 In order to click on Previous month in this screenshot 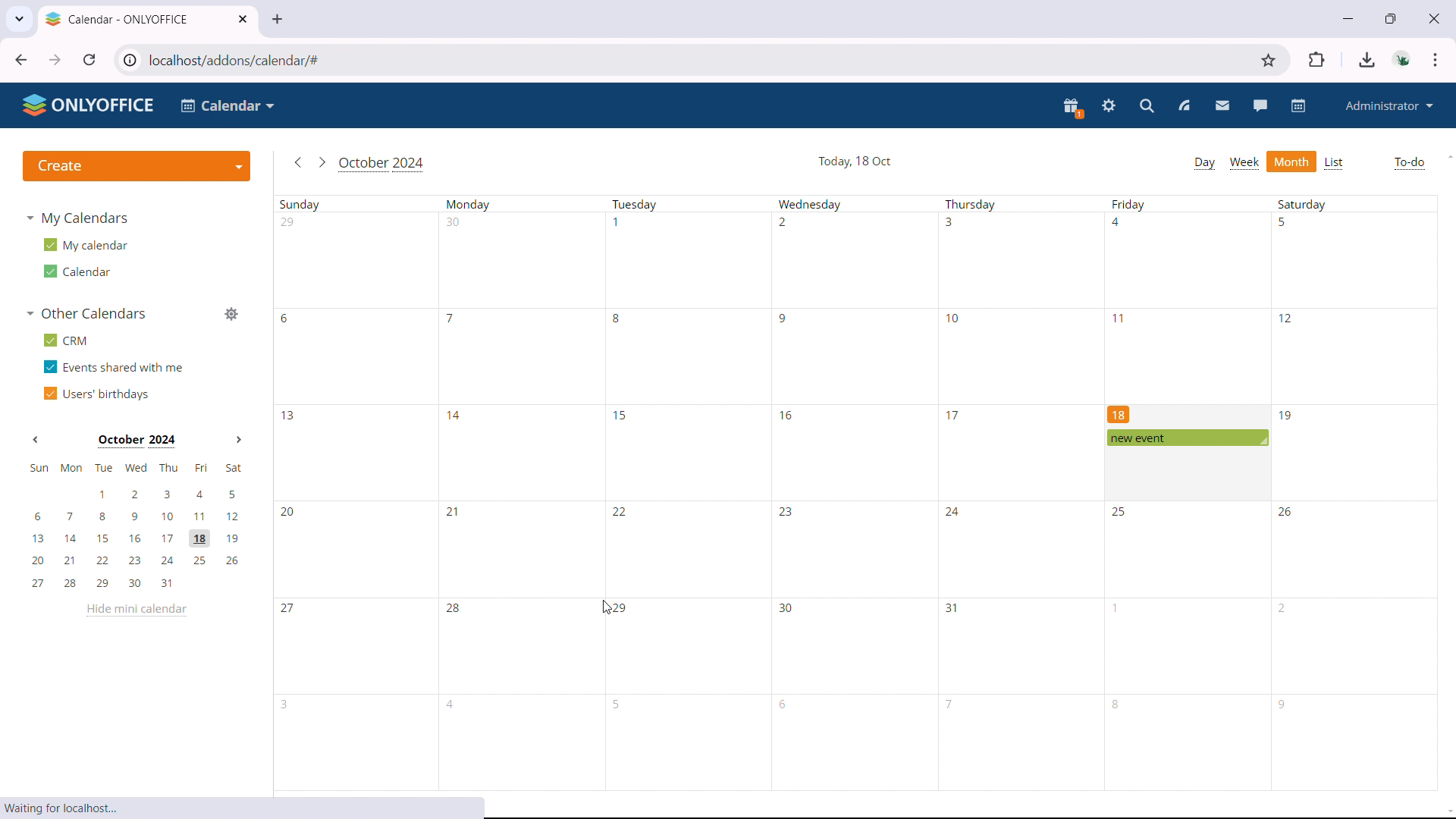, I will do `click(36, 439)`.